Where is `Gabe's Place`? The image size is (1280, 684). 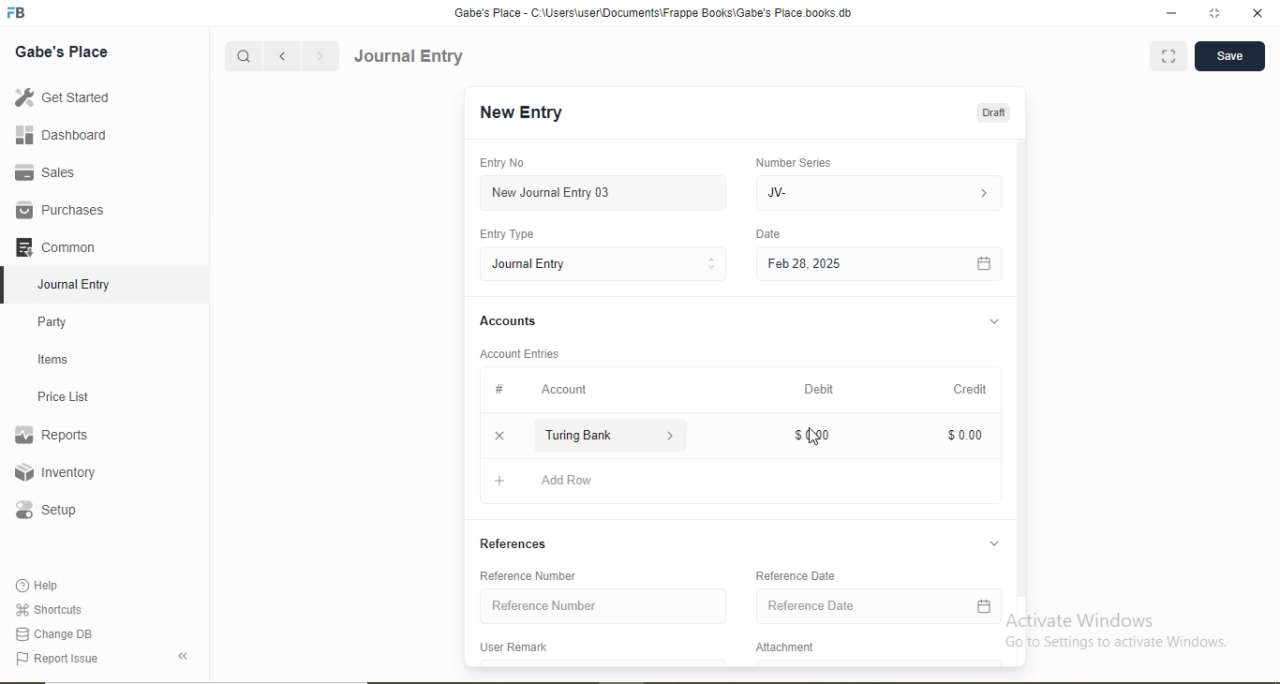
Gabe's Place is located at coordinates (62, 52).